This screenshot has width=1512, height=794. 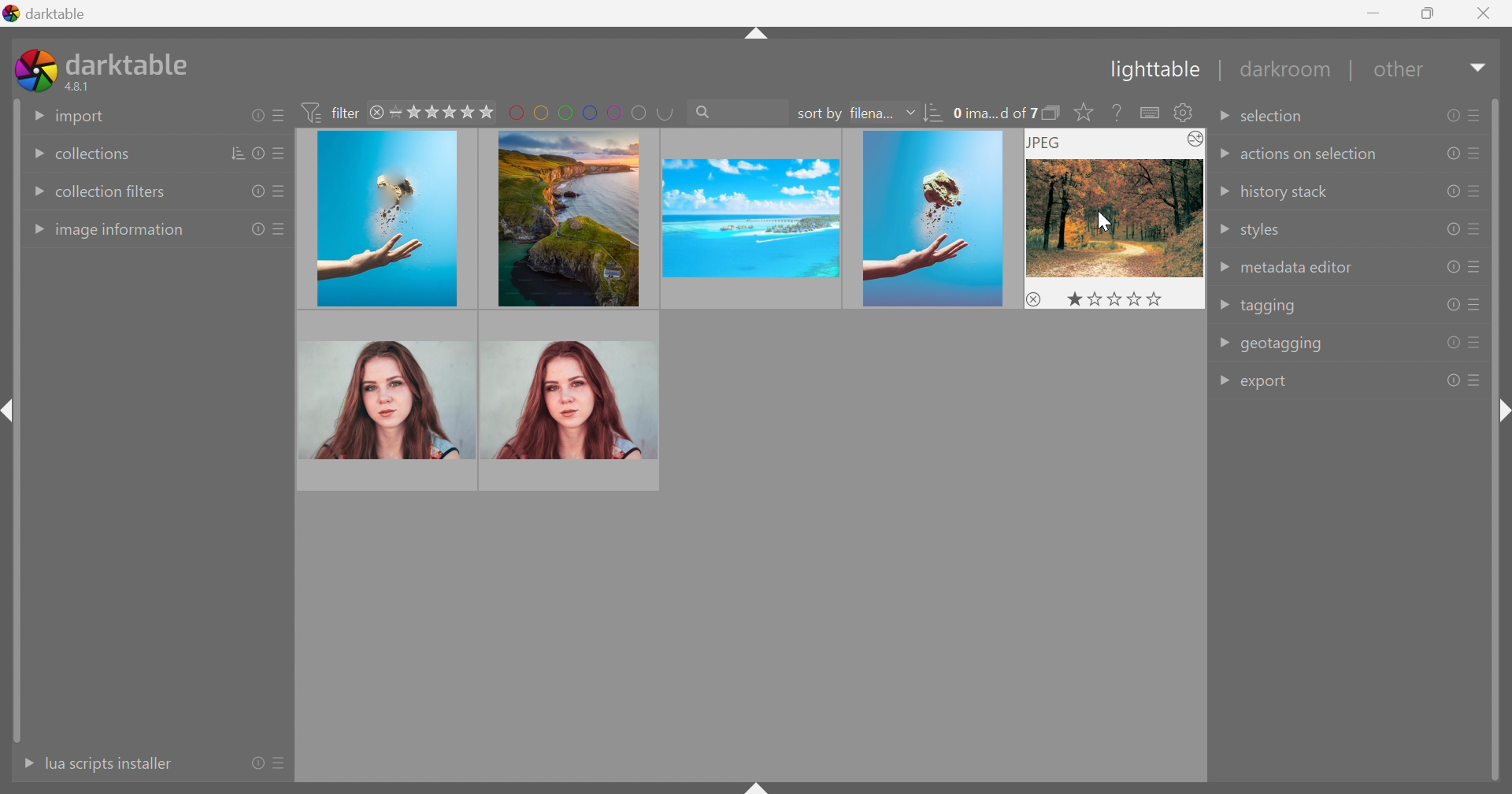 I want to click on presets, so click(x=1475, y=228).